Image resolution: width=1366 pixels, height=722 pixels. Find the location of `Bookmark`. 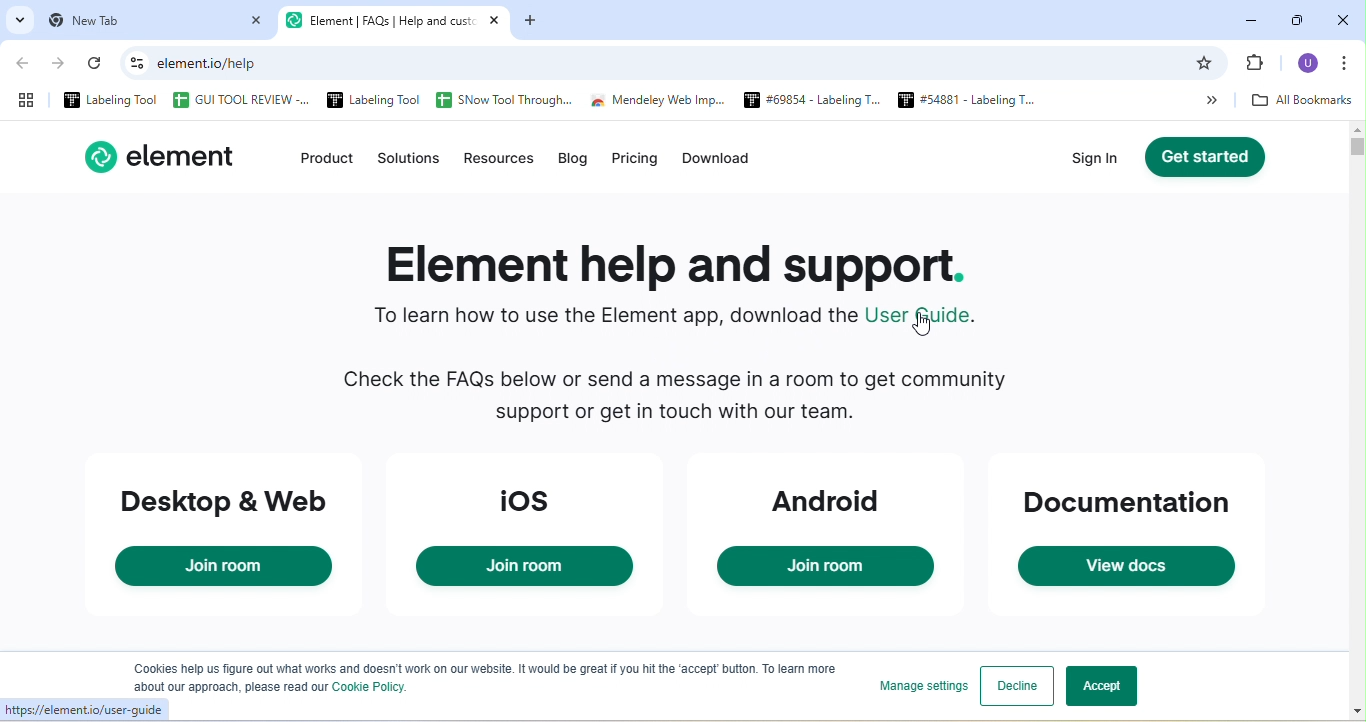

Bookmark is located at coordinates (1258, 64).